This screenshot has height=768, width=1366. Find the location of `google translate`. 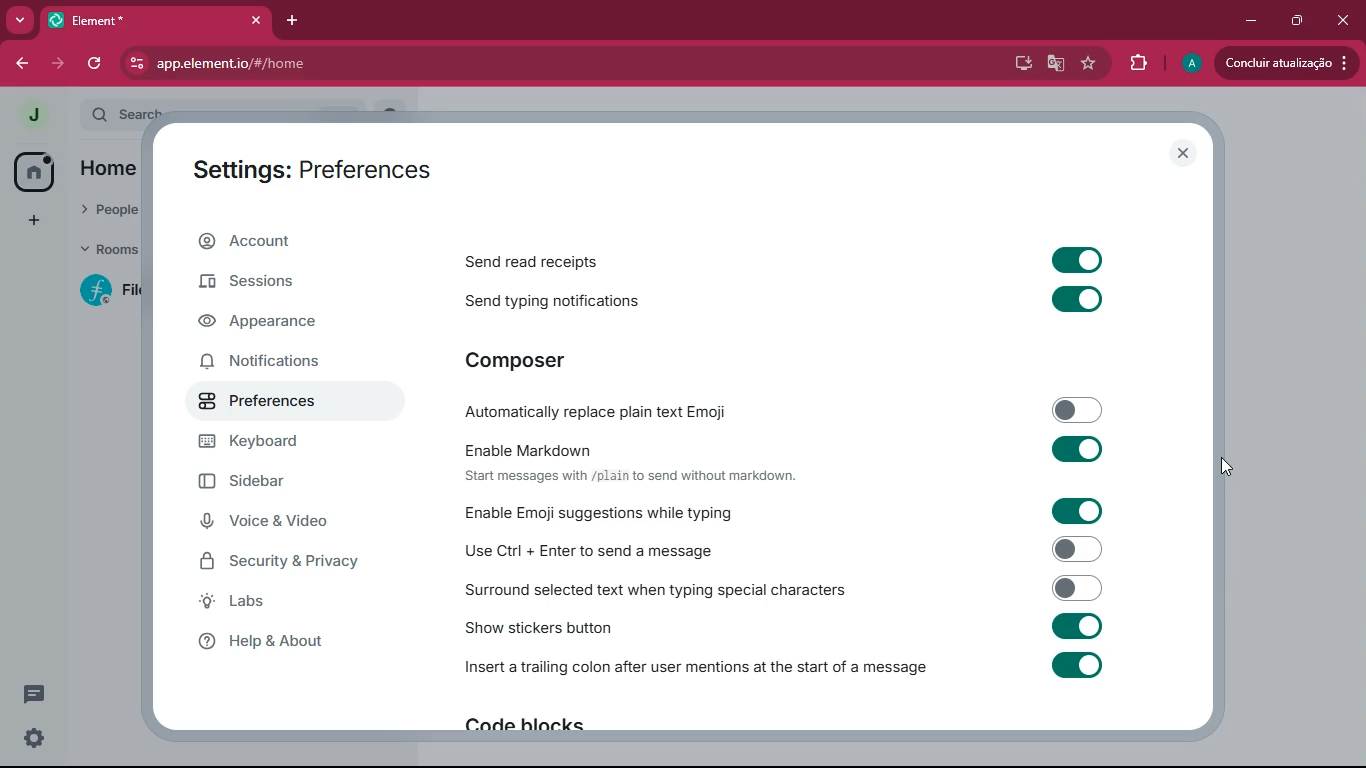

google translate is located at coordinates (1055, 64).